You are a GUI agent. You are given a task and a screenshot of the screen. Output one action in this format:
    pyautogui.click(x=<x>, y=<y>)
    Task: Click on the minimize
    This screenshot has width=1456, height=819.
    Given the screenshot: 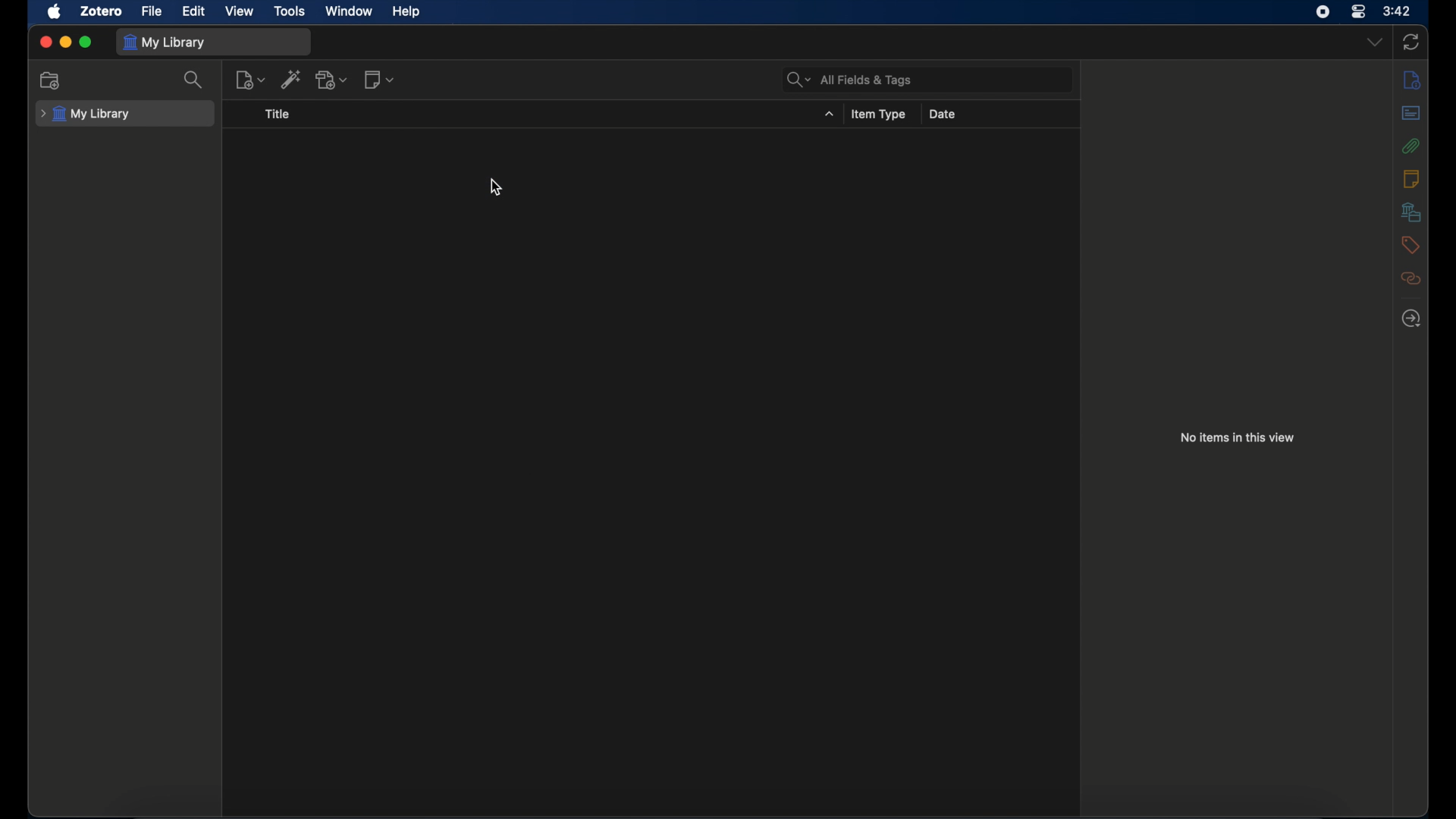 What is the action you would take?
    pyautogui.click(x=65, y=41)
    